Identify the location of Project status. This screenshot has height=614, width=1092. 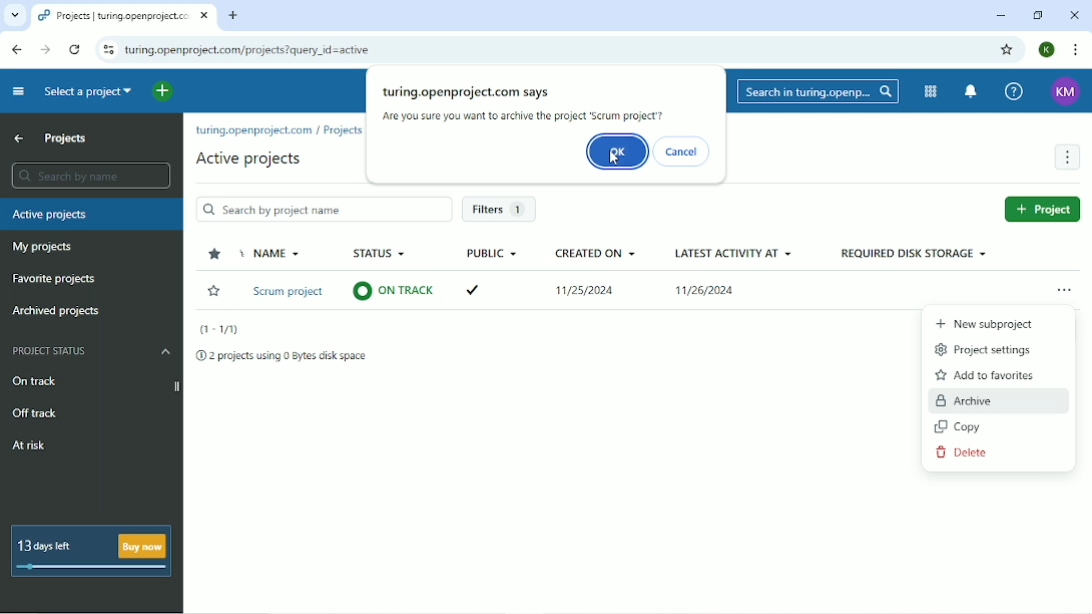
(92, 351).